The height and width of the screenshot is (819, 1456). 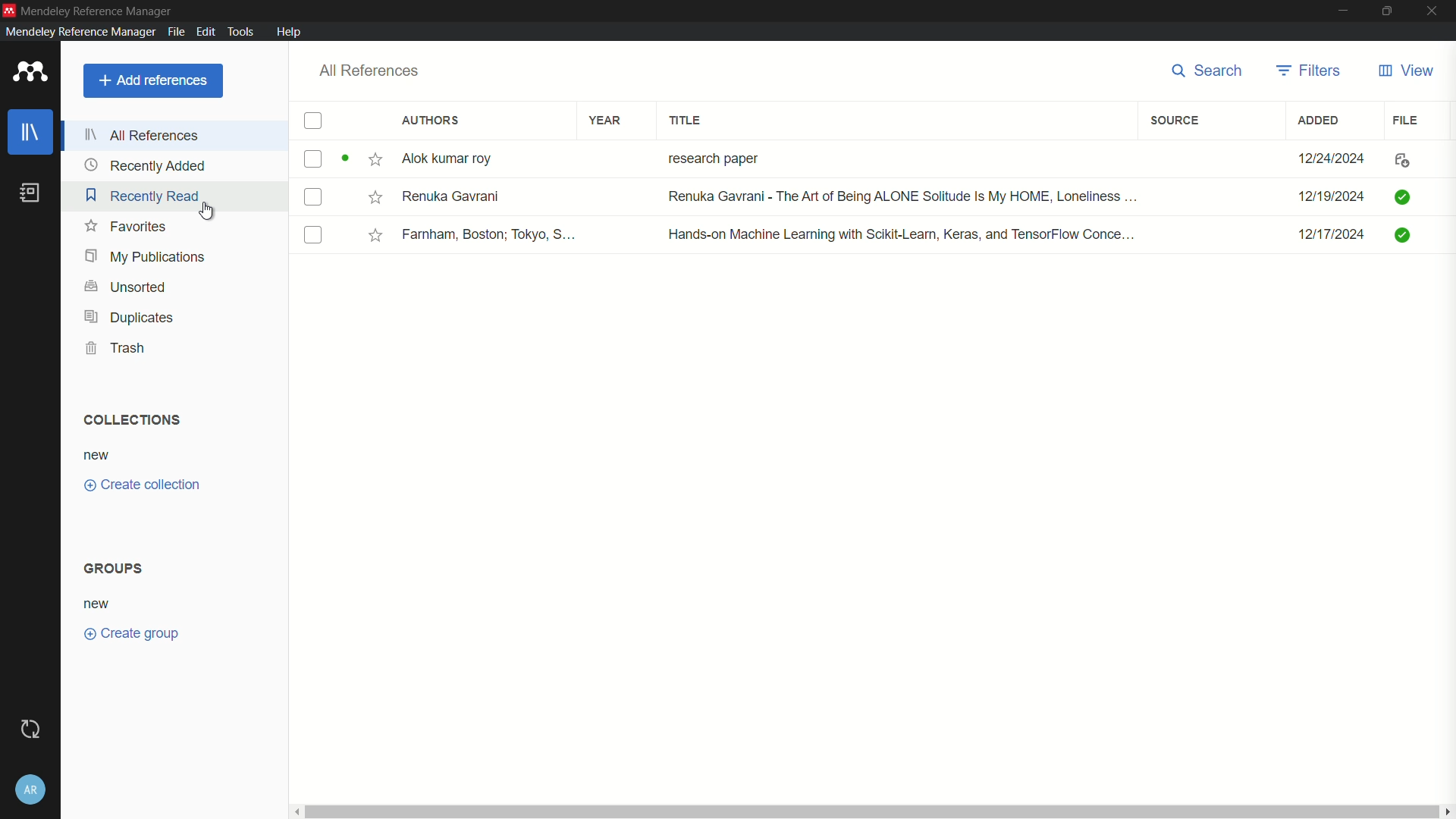 What do you see at coordinates (1406, 196) in the screenshot?
I see `Check` at bounding box center [1406, 196].